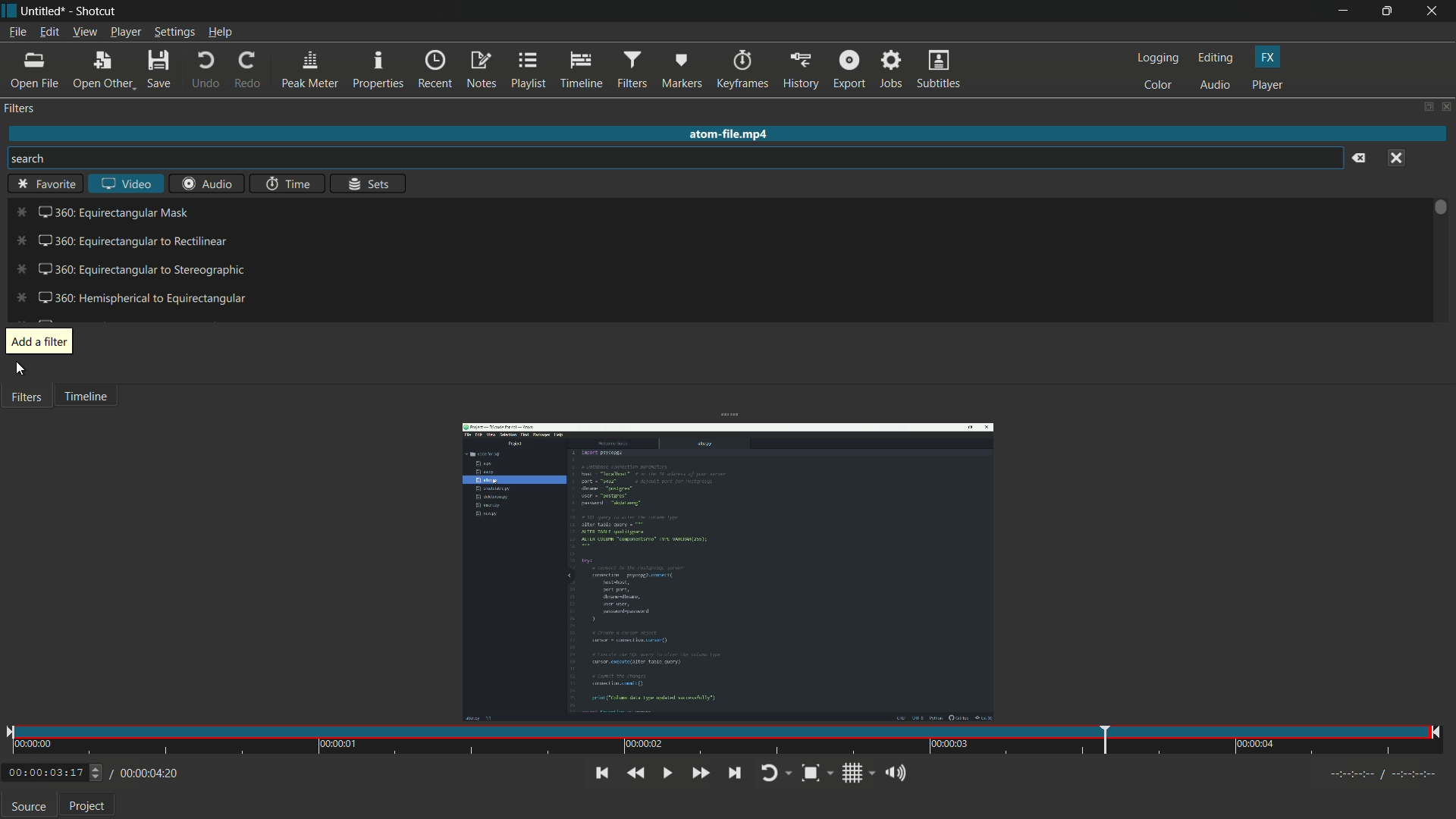 The height and width of the screenshot is (819, 1456). I want to click on cursor, so click(20, 369).